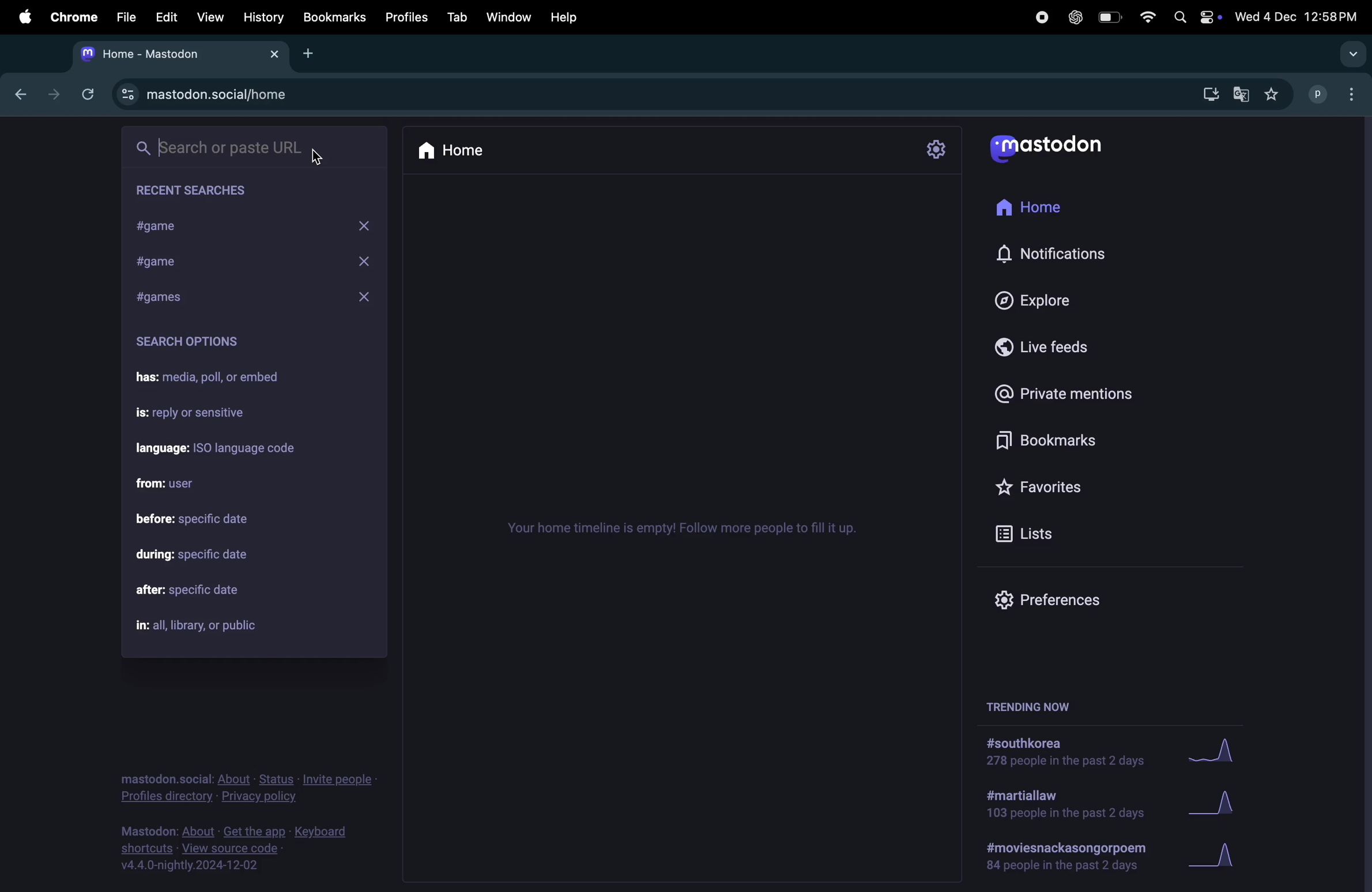 Image resolution: width=1372 pixels, height=892 pixels. I want to click on From: user, so click(172, 482).